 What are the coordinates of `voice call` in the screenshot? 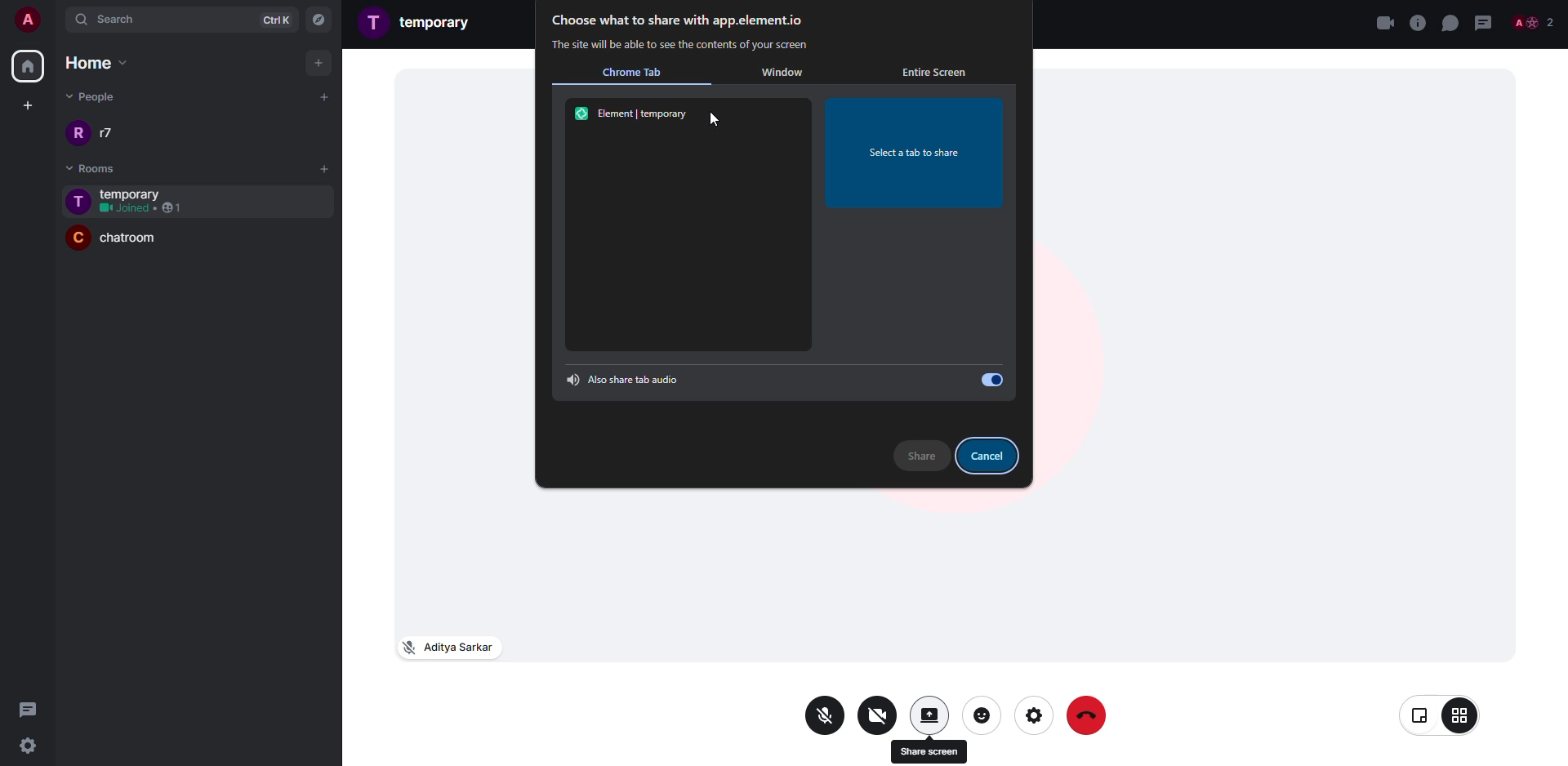 It's located at (1417, 23).